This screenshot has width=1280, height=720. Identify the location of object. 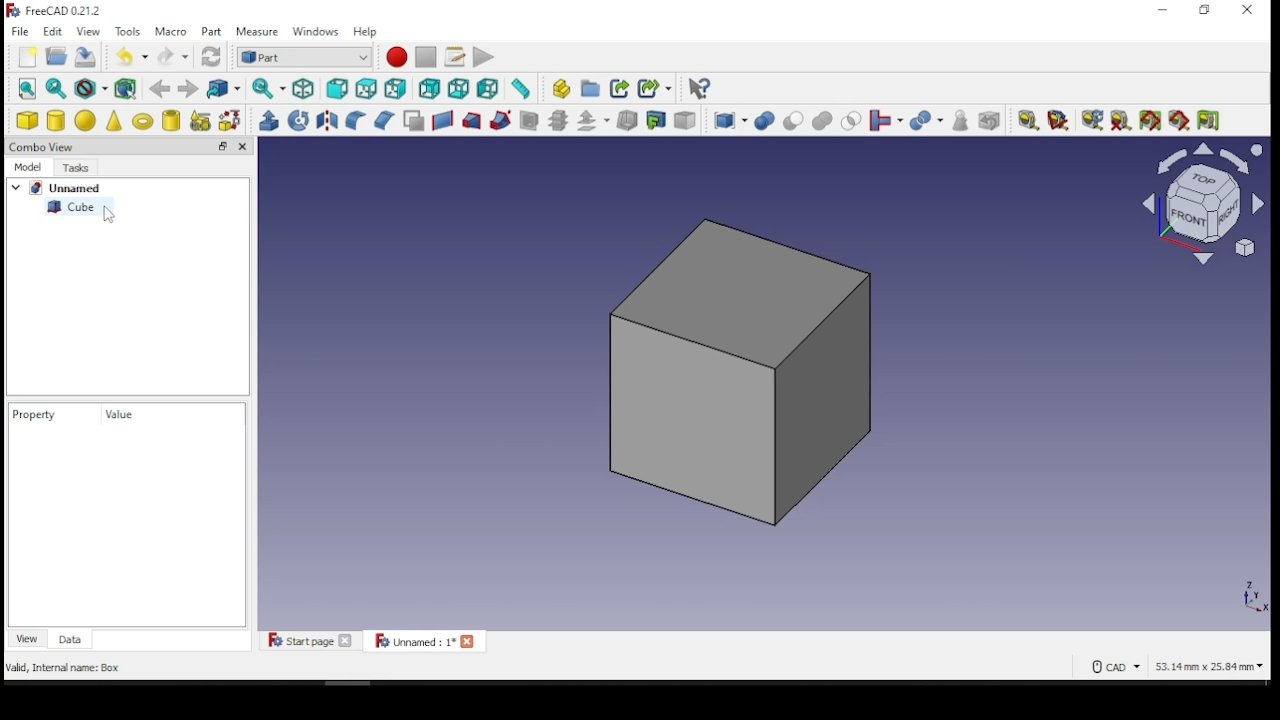
(740, 367).